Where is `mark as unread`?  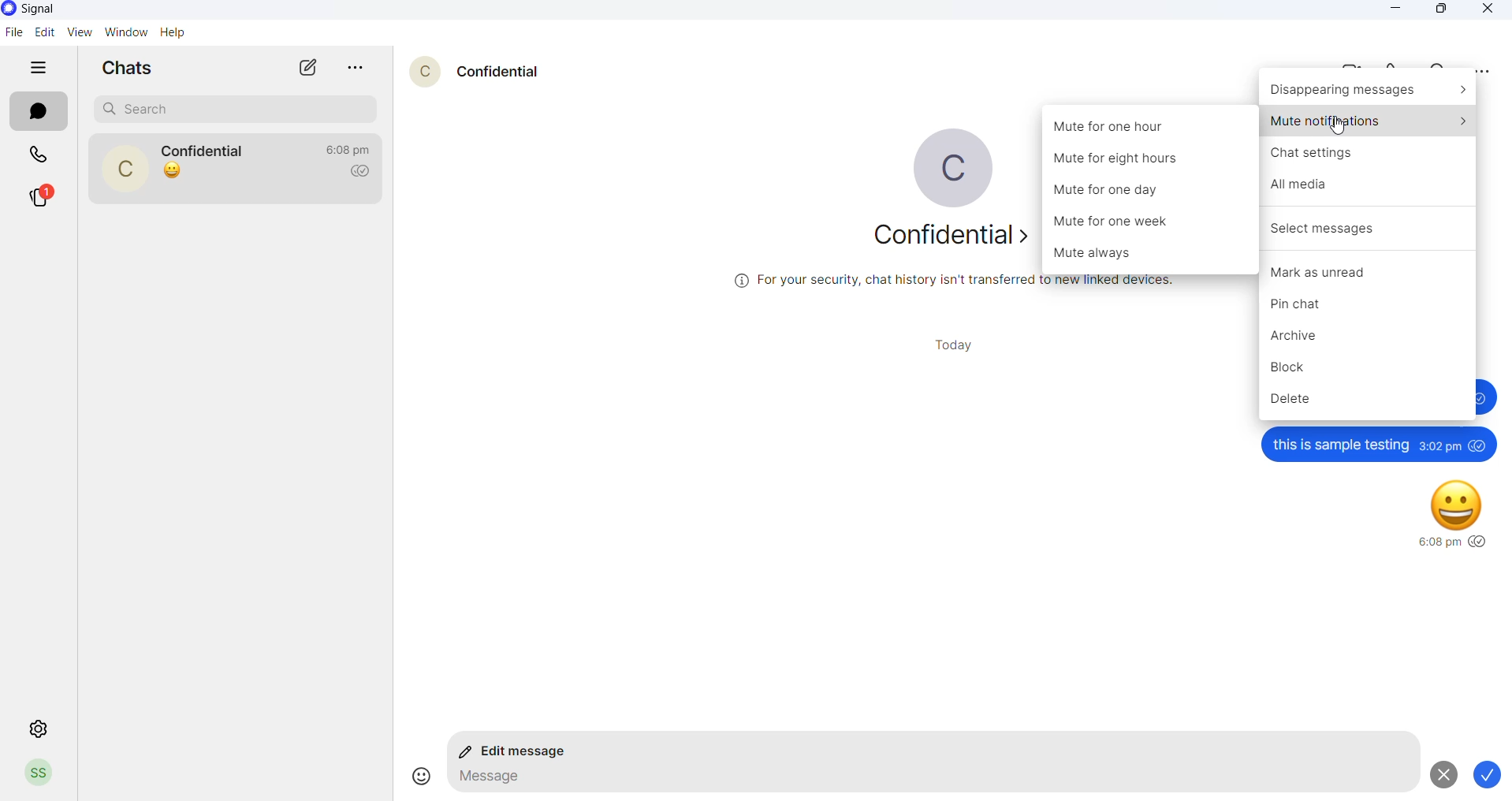 mark as unread is located at coordinates (1370, 266).